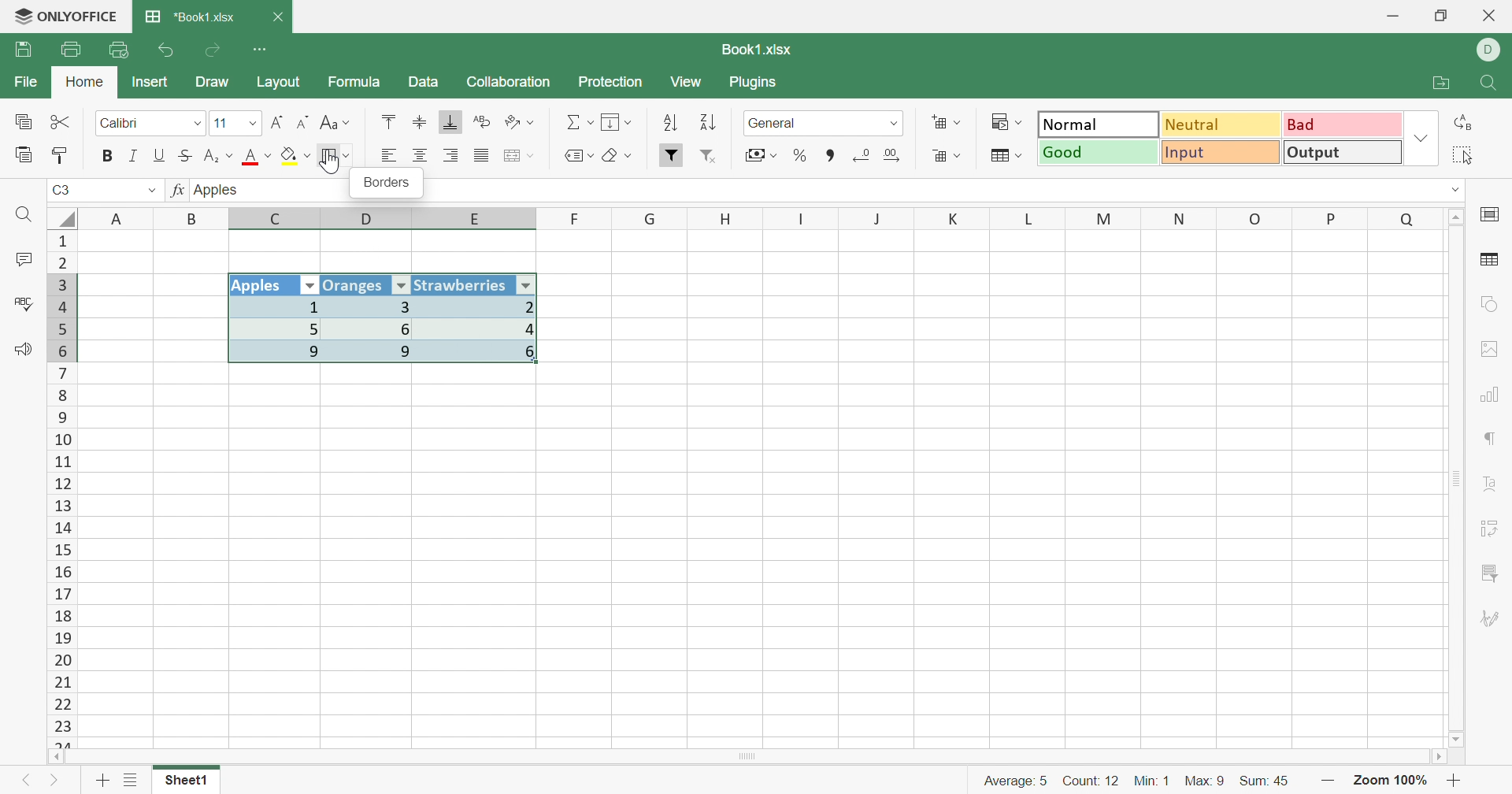  I want to click on Delete cells, so click(944, 158).